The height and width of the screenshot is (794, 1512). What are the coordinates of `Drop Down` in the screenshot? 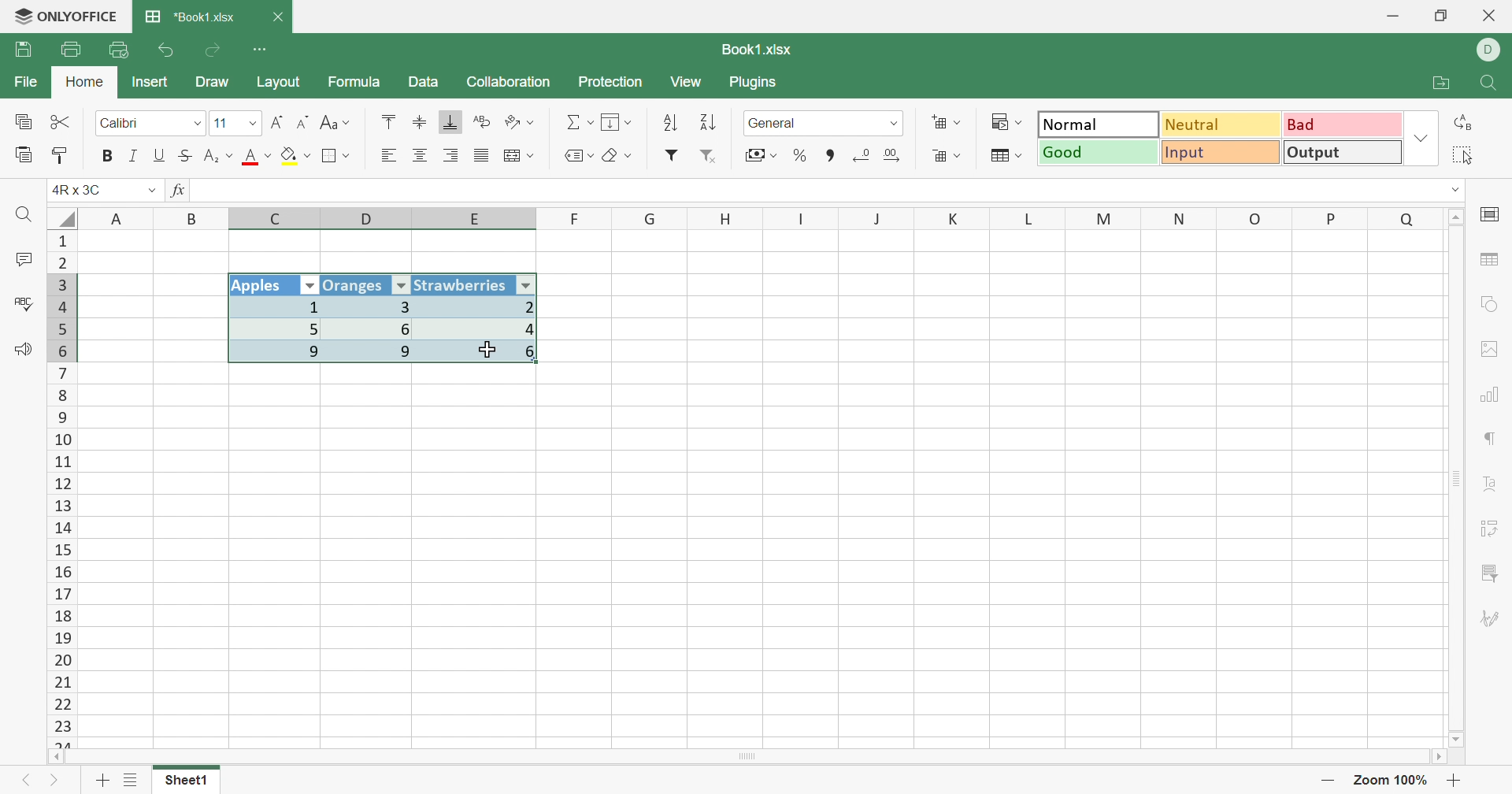 It's located at (250, 125).